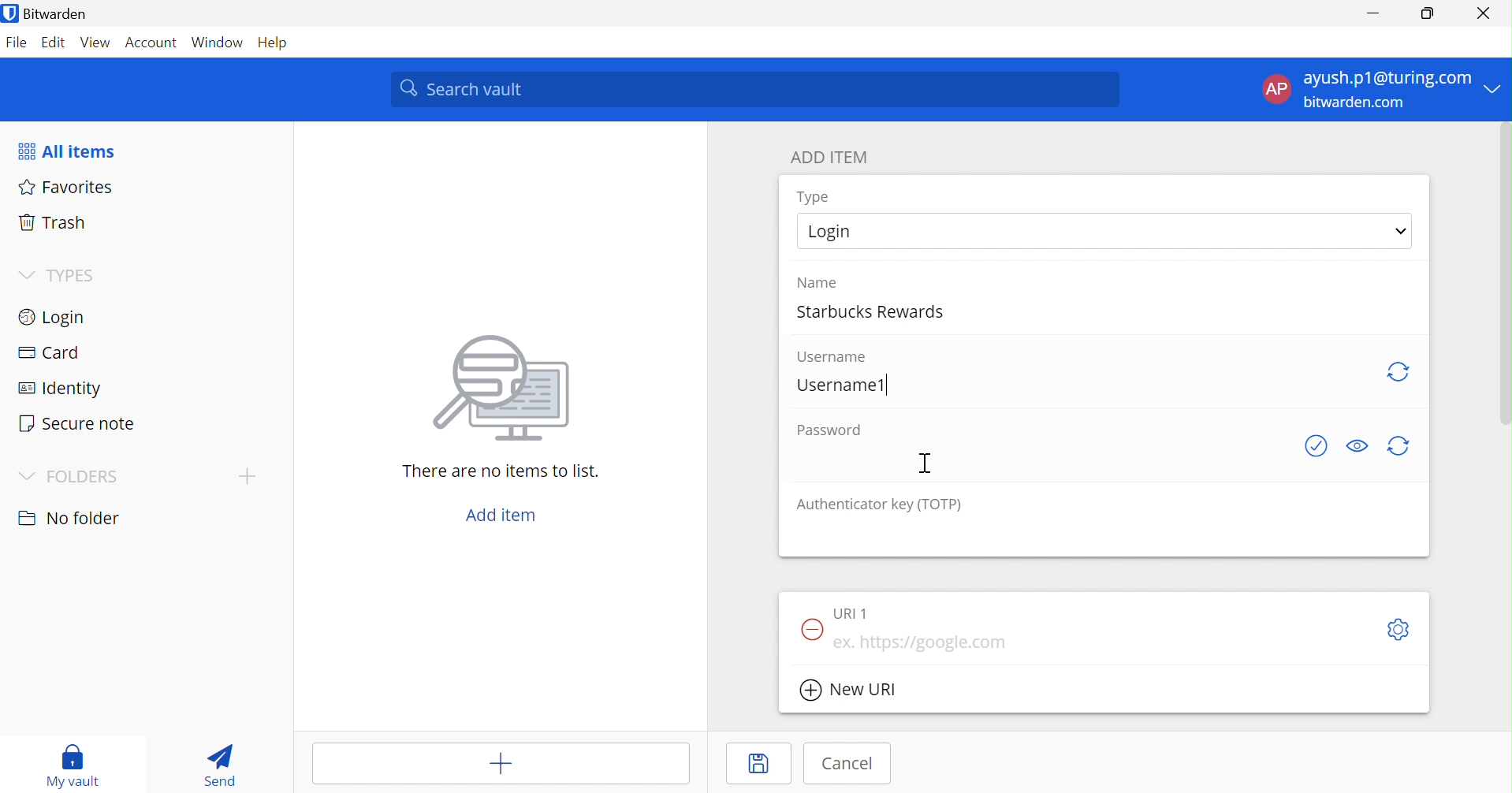  I want to click on Cursor, so click(925, 464).